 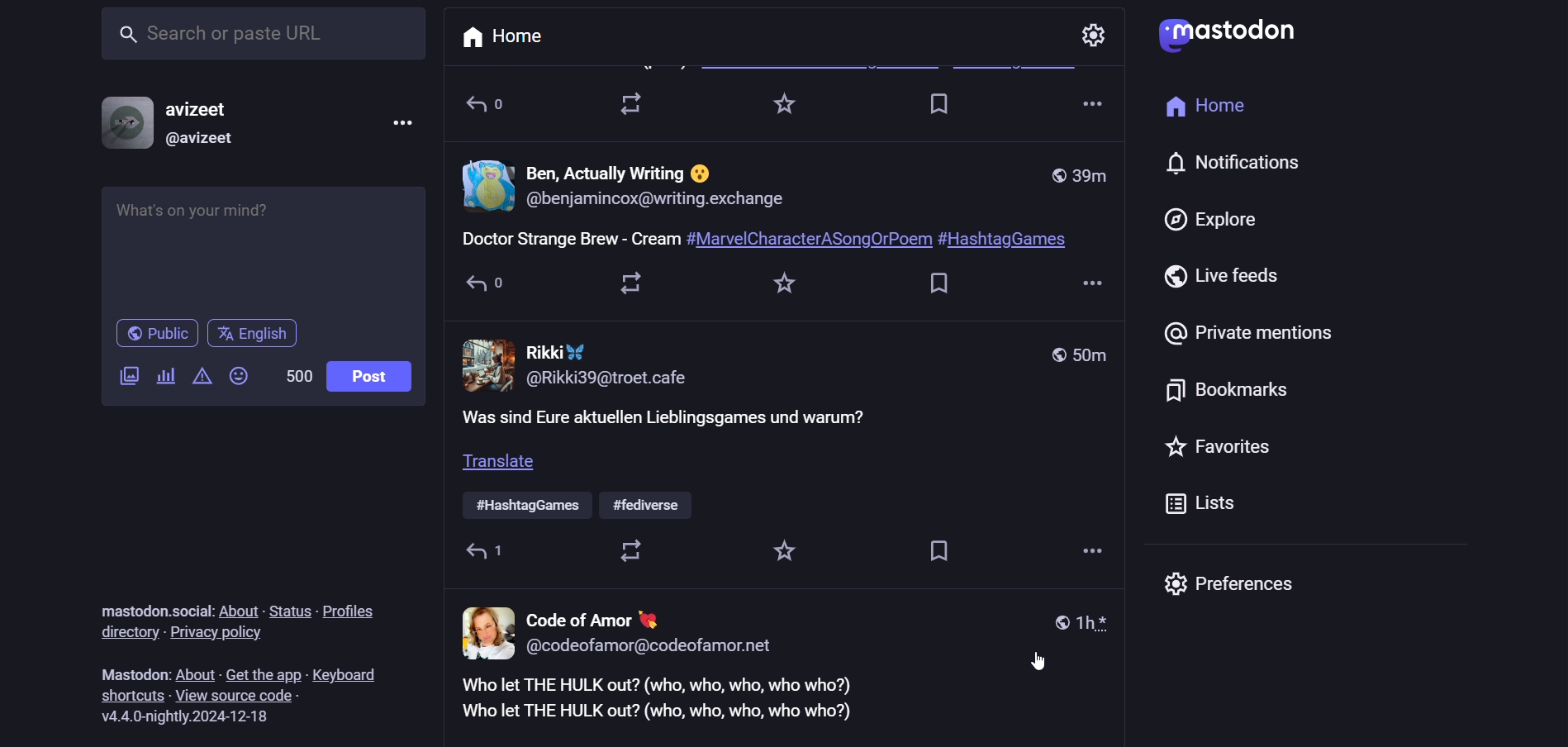 I want to click on new  posts updated, so click(x=790, y=707).